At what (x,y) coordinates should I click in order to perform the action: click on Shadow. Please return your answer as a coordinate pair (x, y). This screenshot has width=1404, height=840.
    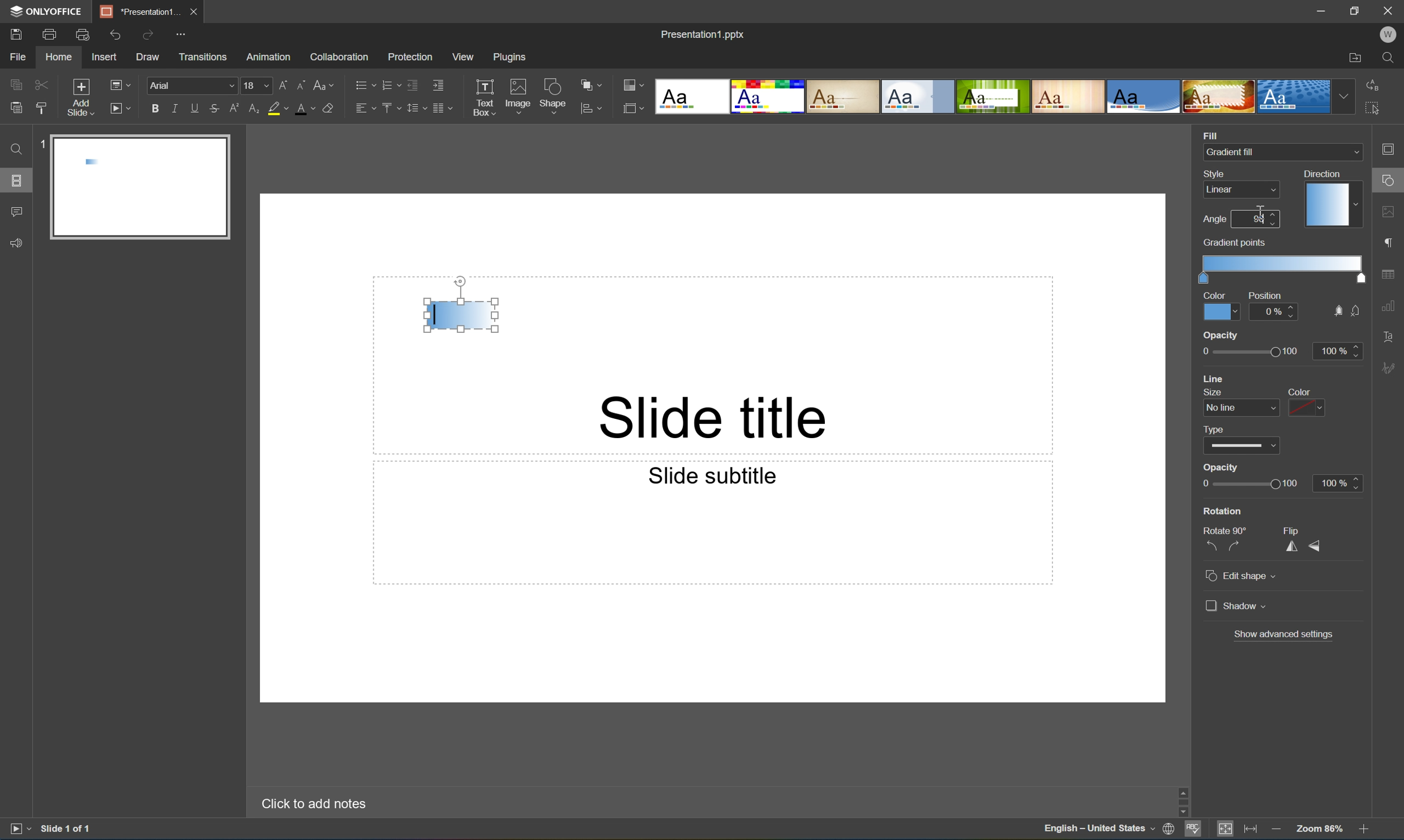
    Looking at the image, I should click on (1236, 605).